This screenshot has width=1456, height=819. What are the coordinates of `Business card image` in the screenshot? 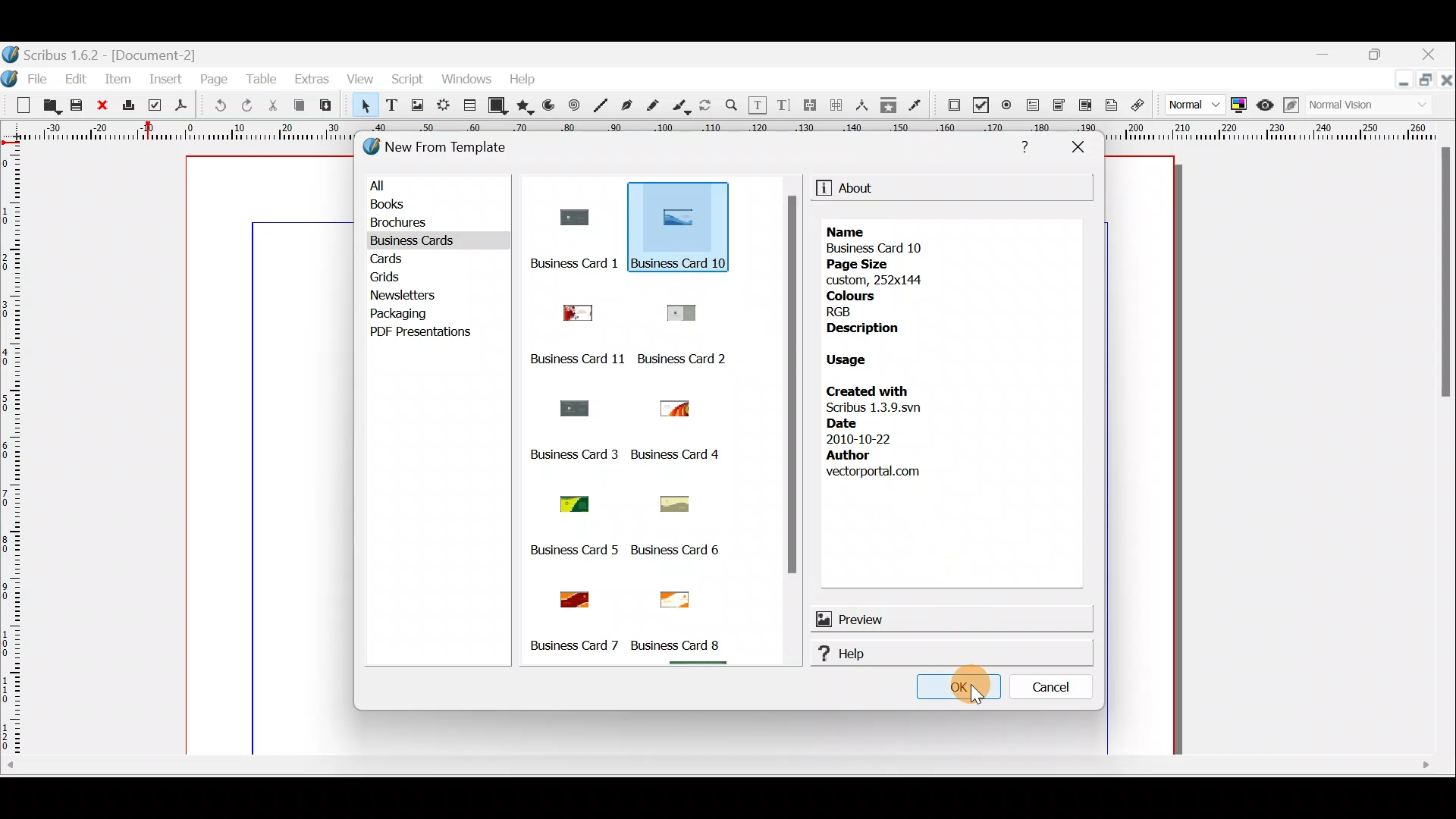 It's located at (568, 500).